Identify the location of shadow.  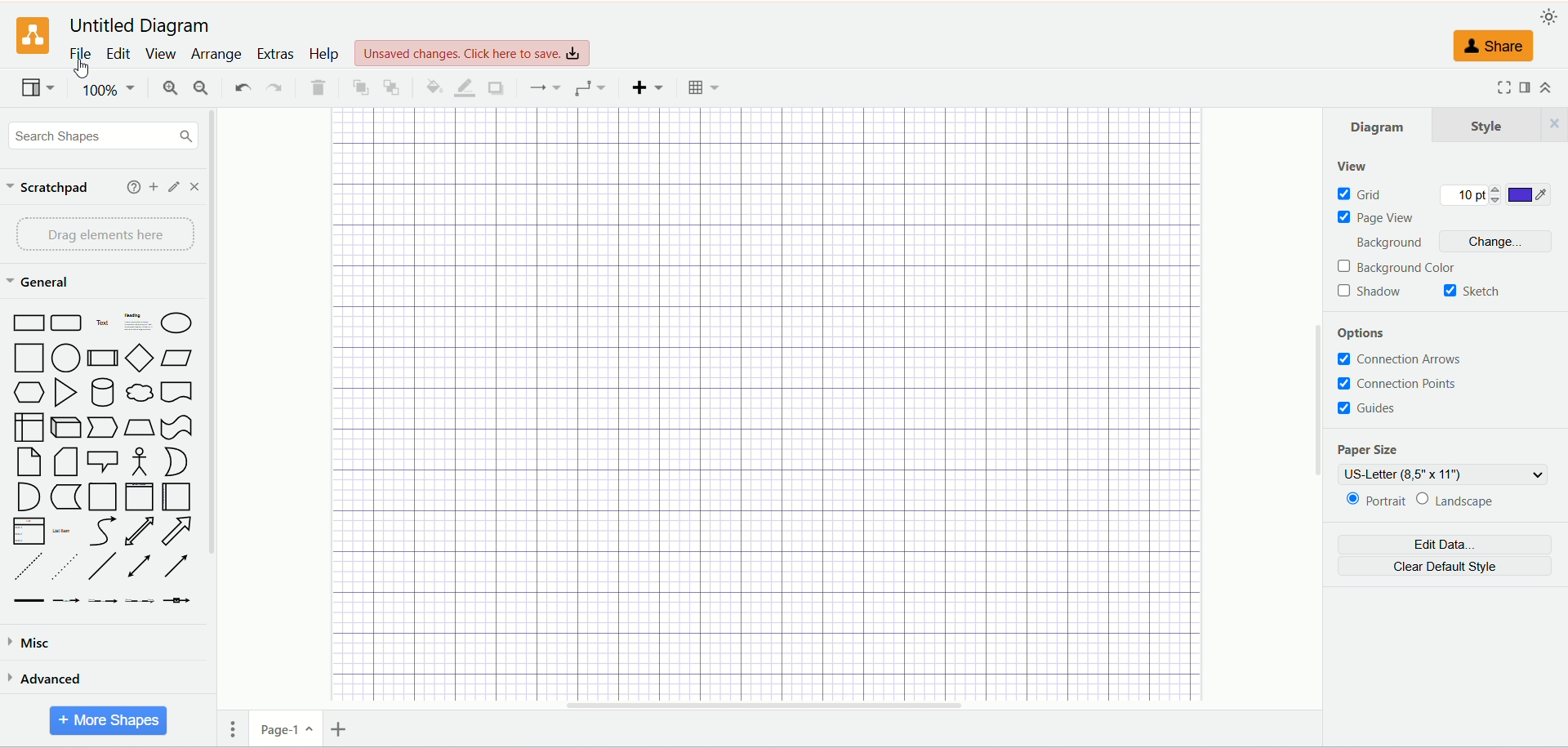
(1370, 292).